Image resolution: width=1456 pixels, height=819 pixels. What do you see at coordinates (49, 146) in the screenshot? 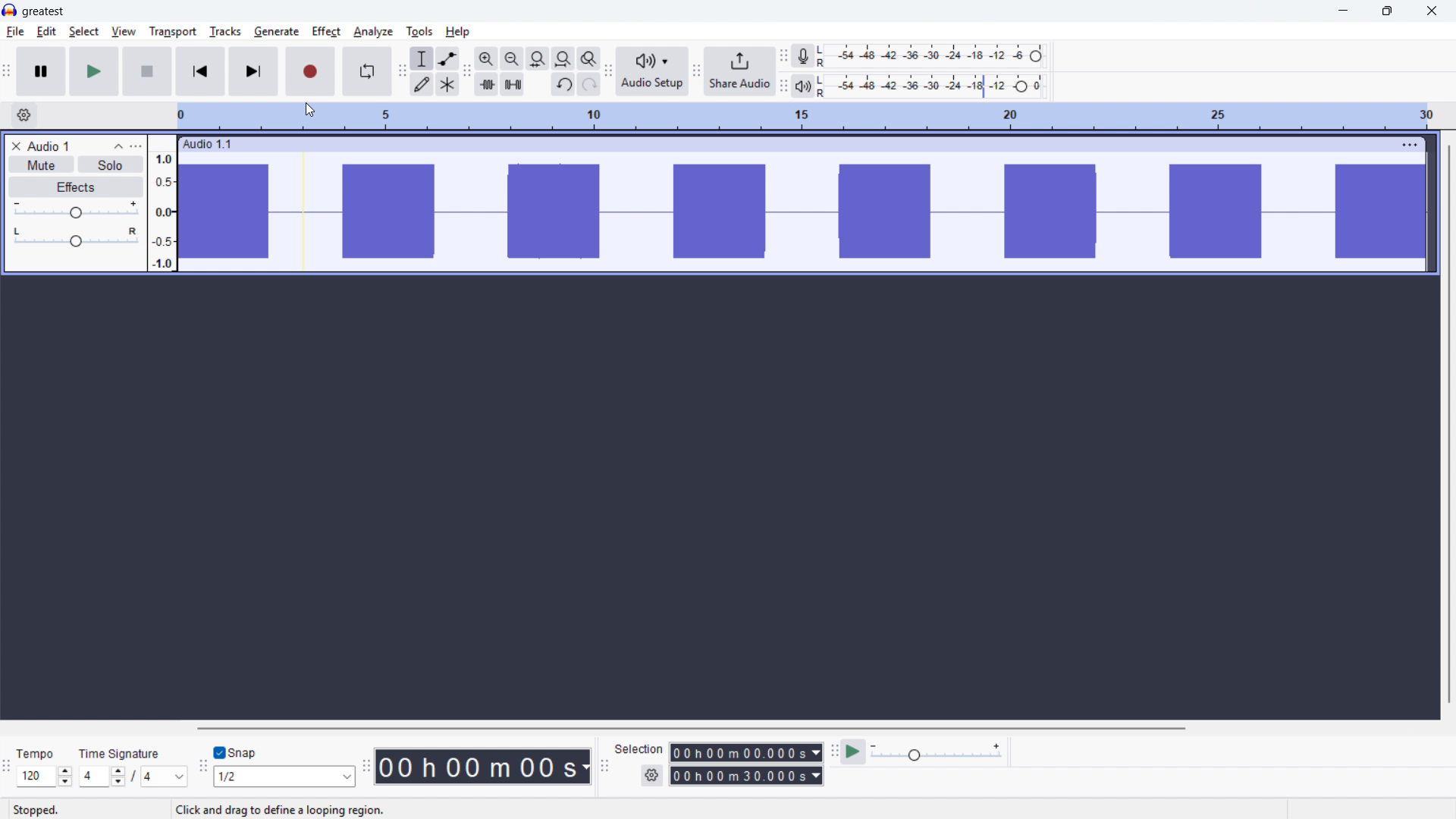
I see `audio 1` at bounding box center [49, 146].